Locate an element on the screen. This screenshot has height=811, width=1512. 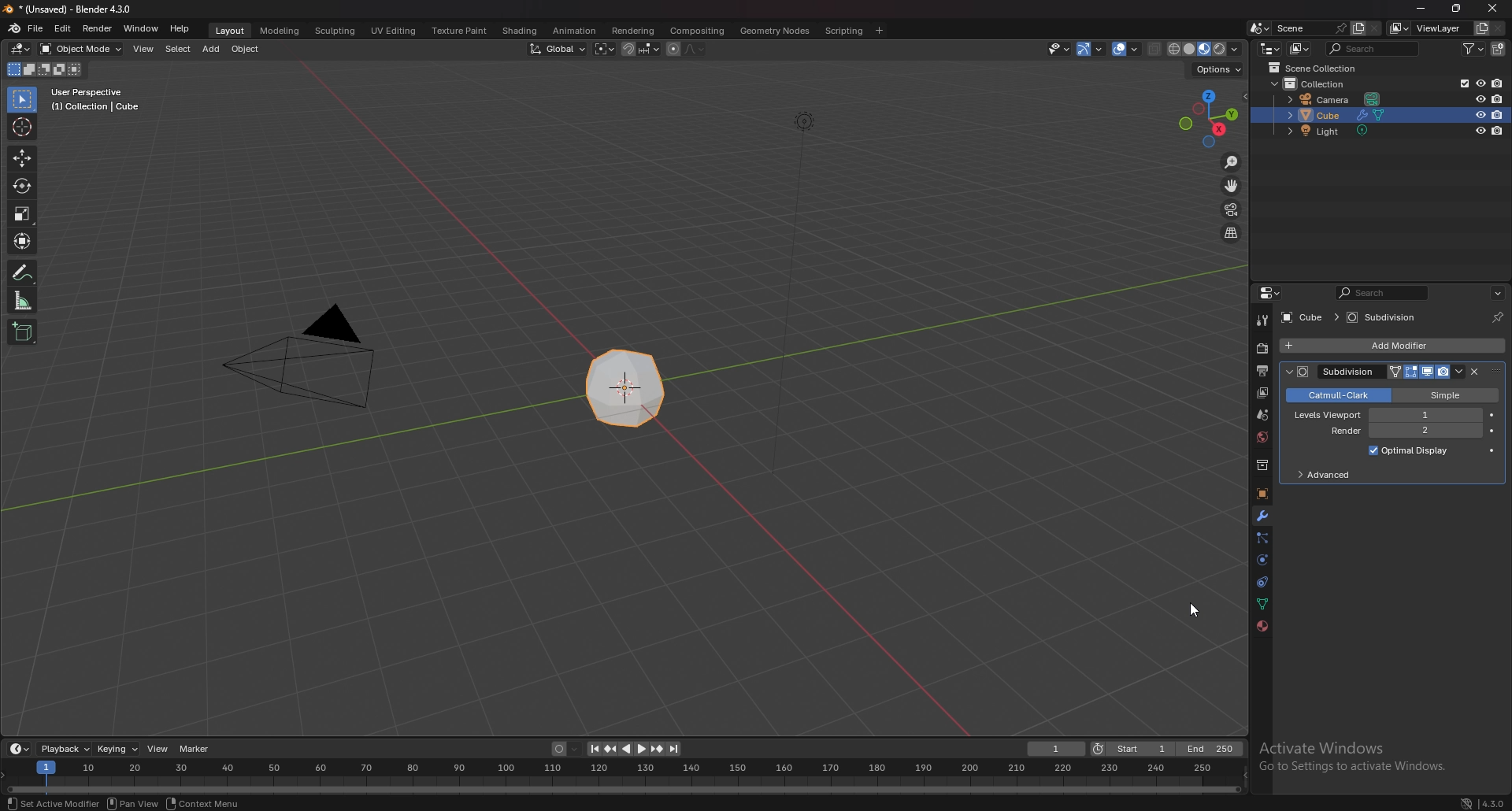
measure is located at coordinates (24, 301).